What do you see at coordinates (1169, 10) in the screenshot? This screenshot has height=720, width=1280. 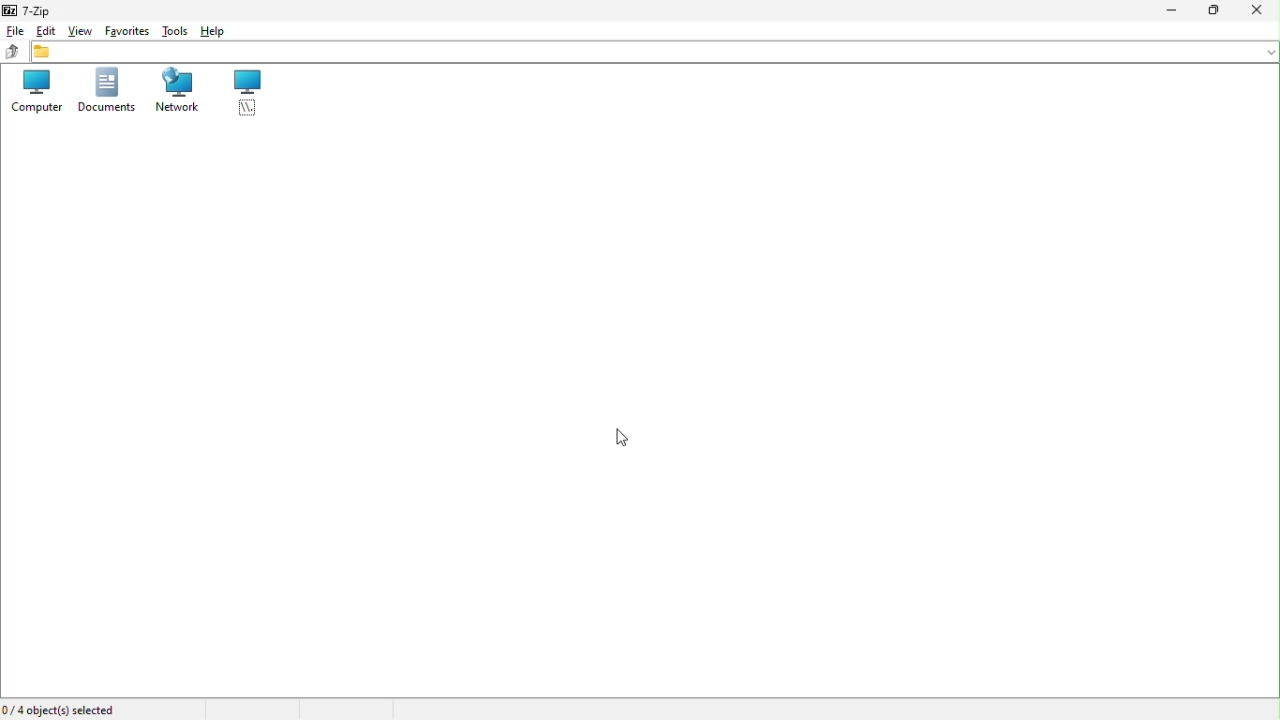 I see `Minimise` at bounding box center [1169, 10].